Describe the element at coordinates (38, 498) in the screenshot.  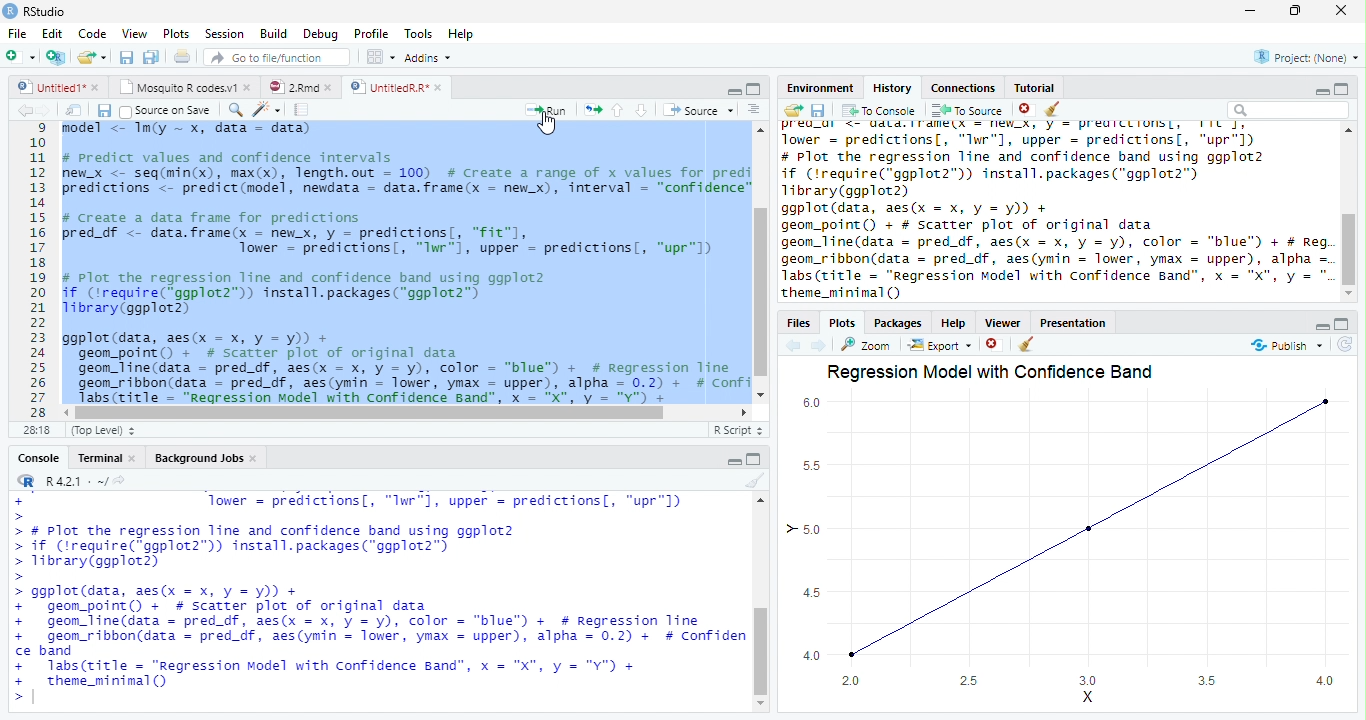
I see `Cursor` at that location.